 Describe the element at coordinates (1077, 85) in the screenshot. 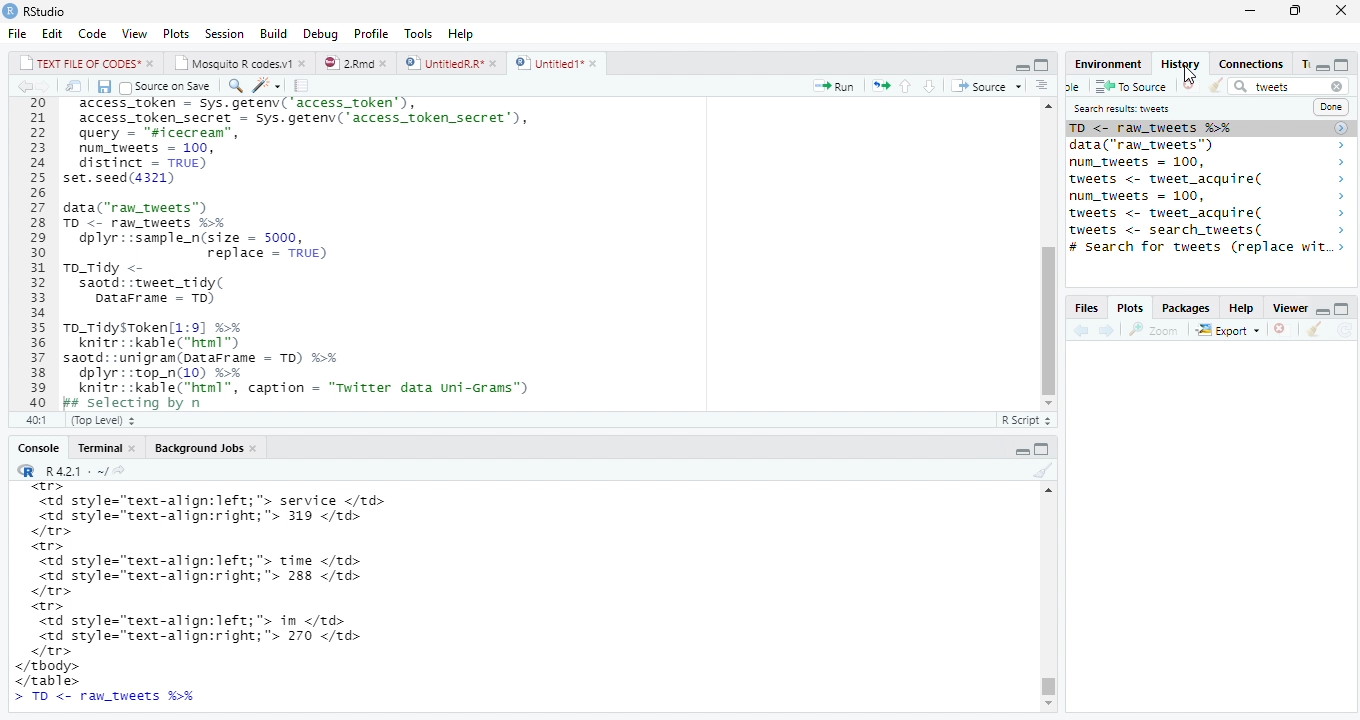

I see `new` at that location.